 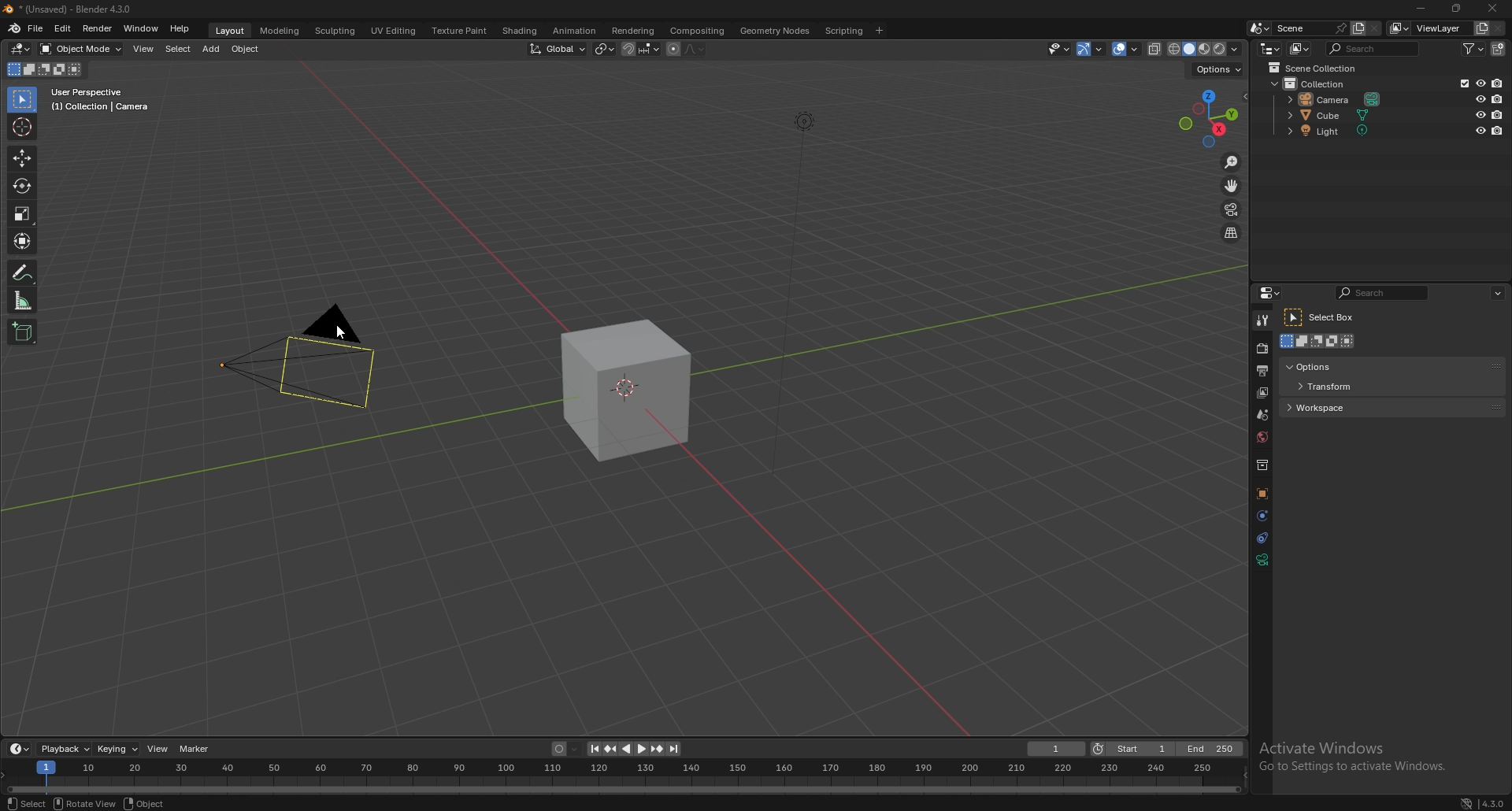 What do you see at coordinates (24, 299) in the screenshot?
I see `measure` at bounding box center [24, 299].